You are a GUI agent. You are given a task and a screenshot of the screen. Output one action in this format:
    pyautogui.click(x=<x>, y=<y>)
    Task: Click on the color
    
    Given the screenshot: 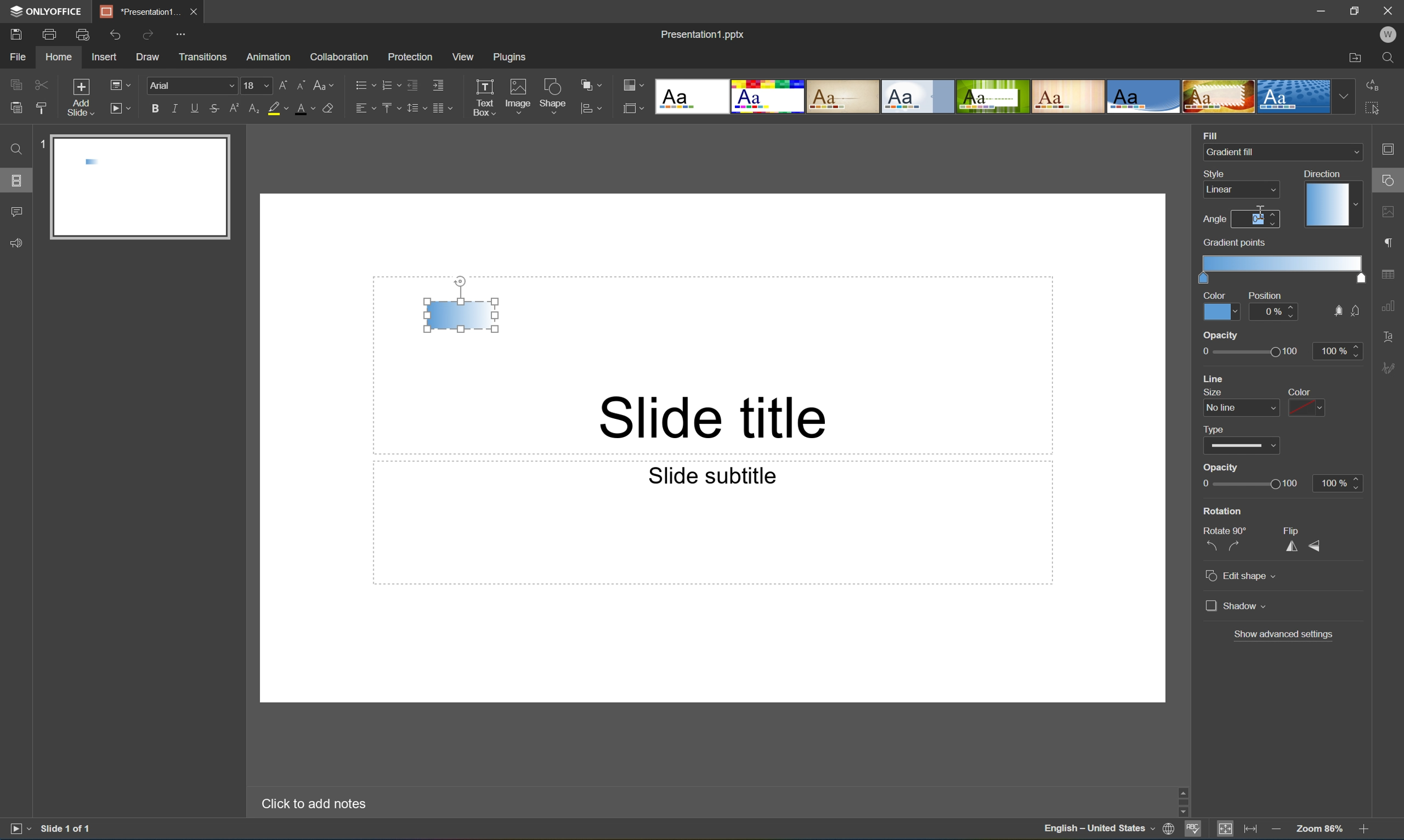 What is the action you would take?
    pyautogui.click(x=1296, y=392)
    